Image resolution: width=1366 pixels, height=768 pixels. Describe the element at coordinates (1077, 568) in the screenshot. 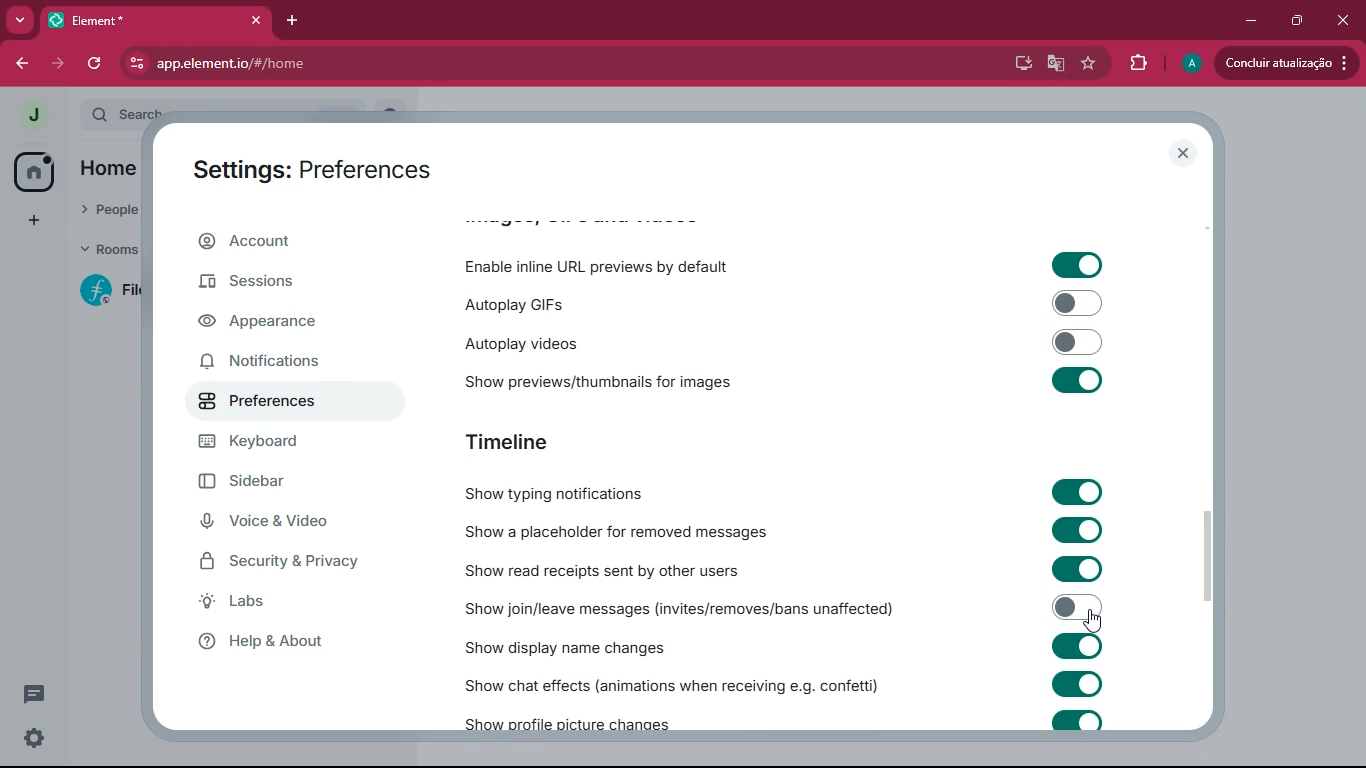

I see `toggle on/off` at that location.